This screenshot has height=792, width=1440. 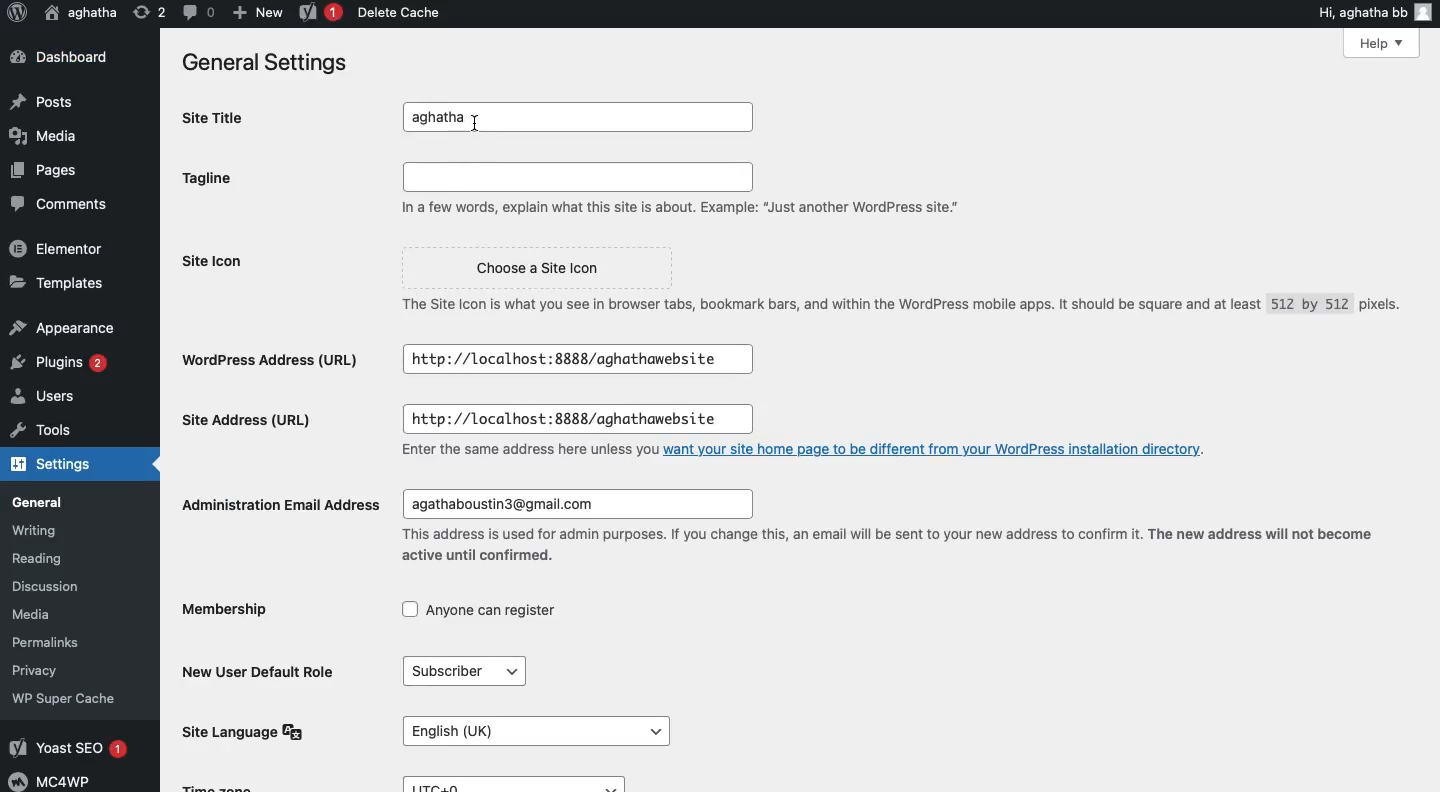 What do you see at coordinates (78, 14) in the screenshot?
I see `aghatha` at bounding box center [78, 14].